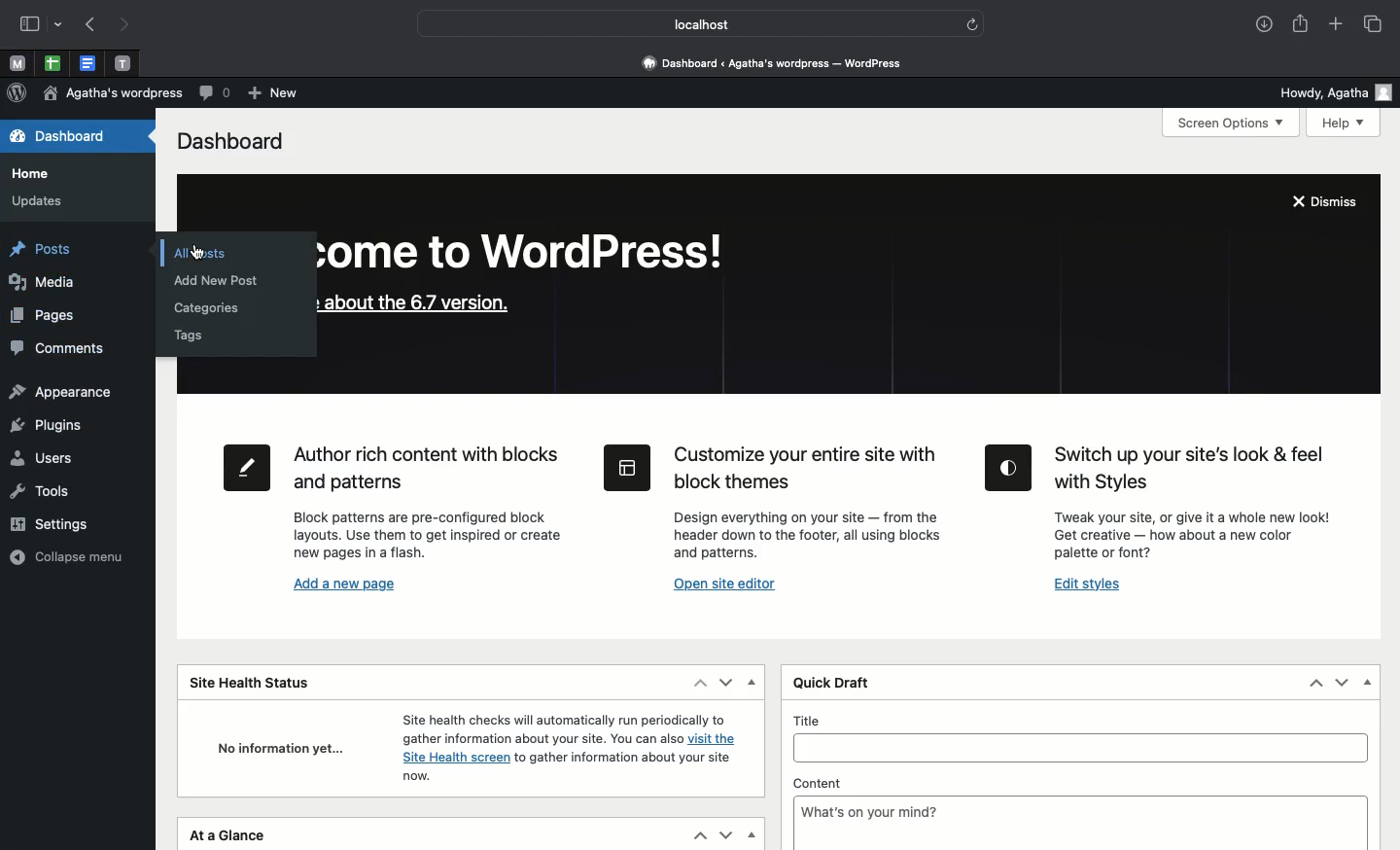  Describe the element at coordinates (1376, 24) in the screenshot. I see `Tabs` at that location.